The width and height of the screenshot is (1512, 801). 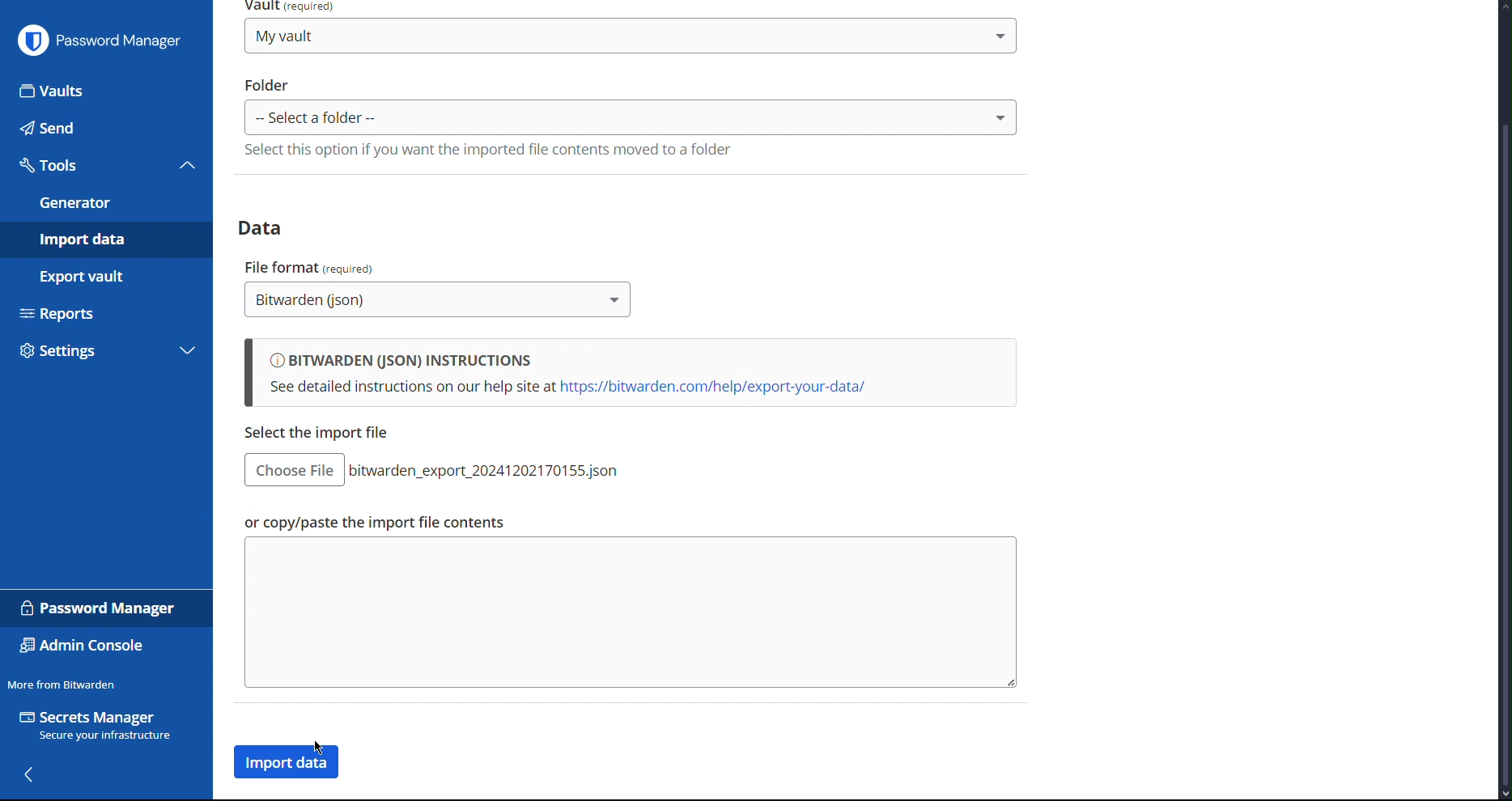 What do you see at coordinates (312, 265) in the screenshot?
I see `file format` at bounding box center [312, 265].